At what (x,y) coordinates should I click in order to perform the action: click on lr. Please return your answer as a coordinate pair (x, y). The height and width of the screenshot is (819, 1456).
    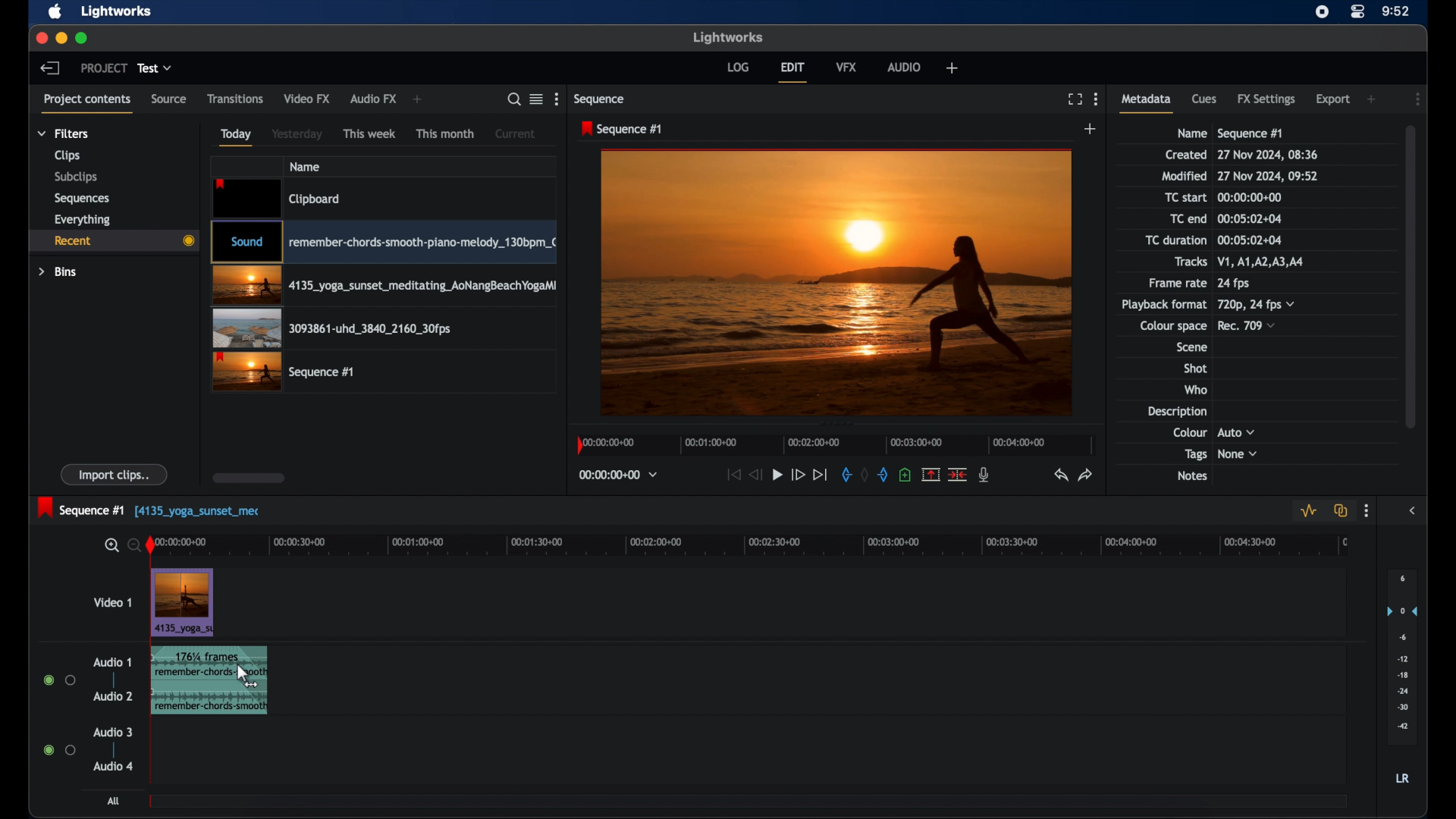
    Looking at the image, I should click on (1402, 778).